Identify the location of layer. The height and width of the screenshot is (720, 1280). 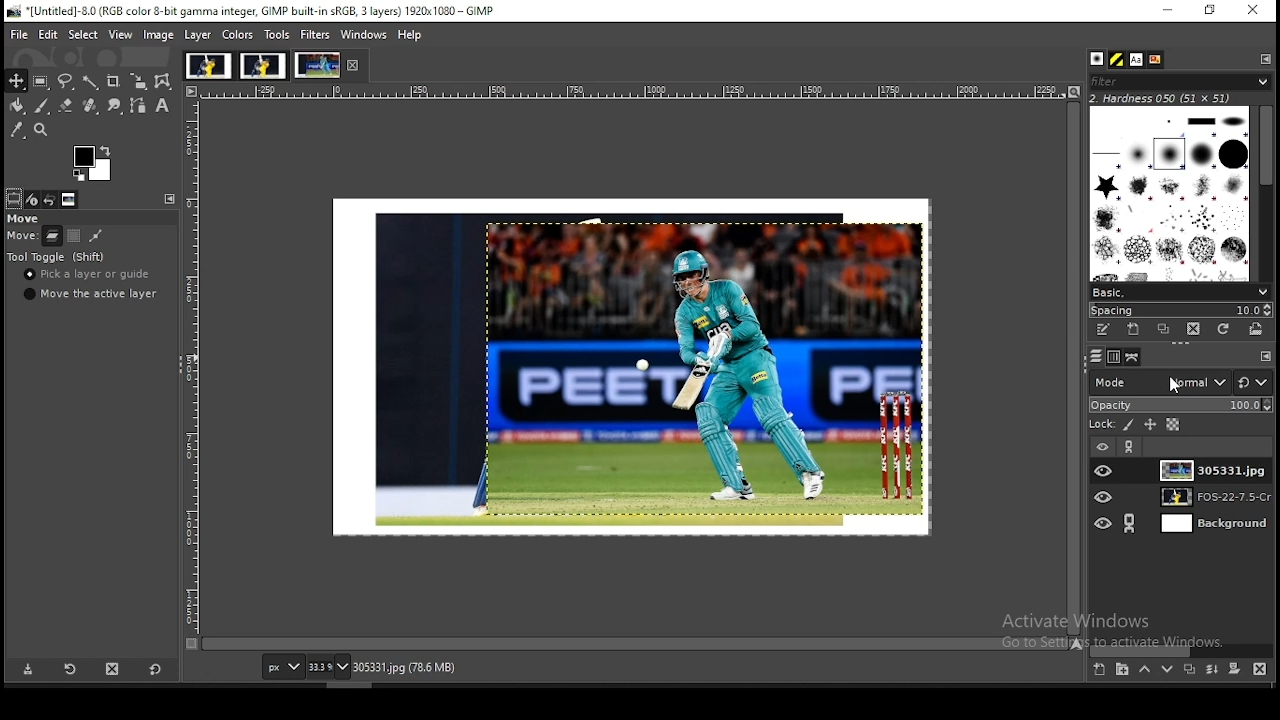
(1207, 525).